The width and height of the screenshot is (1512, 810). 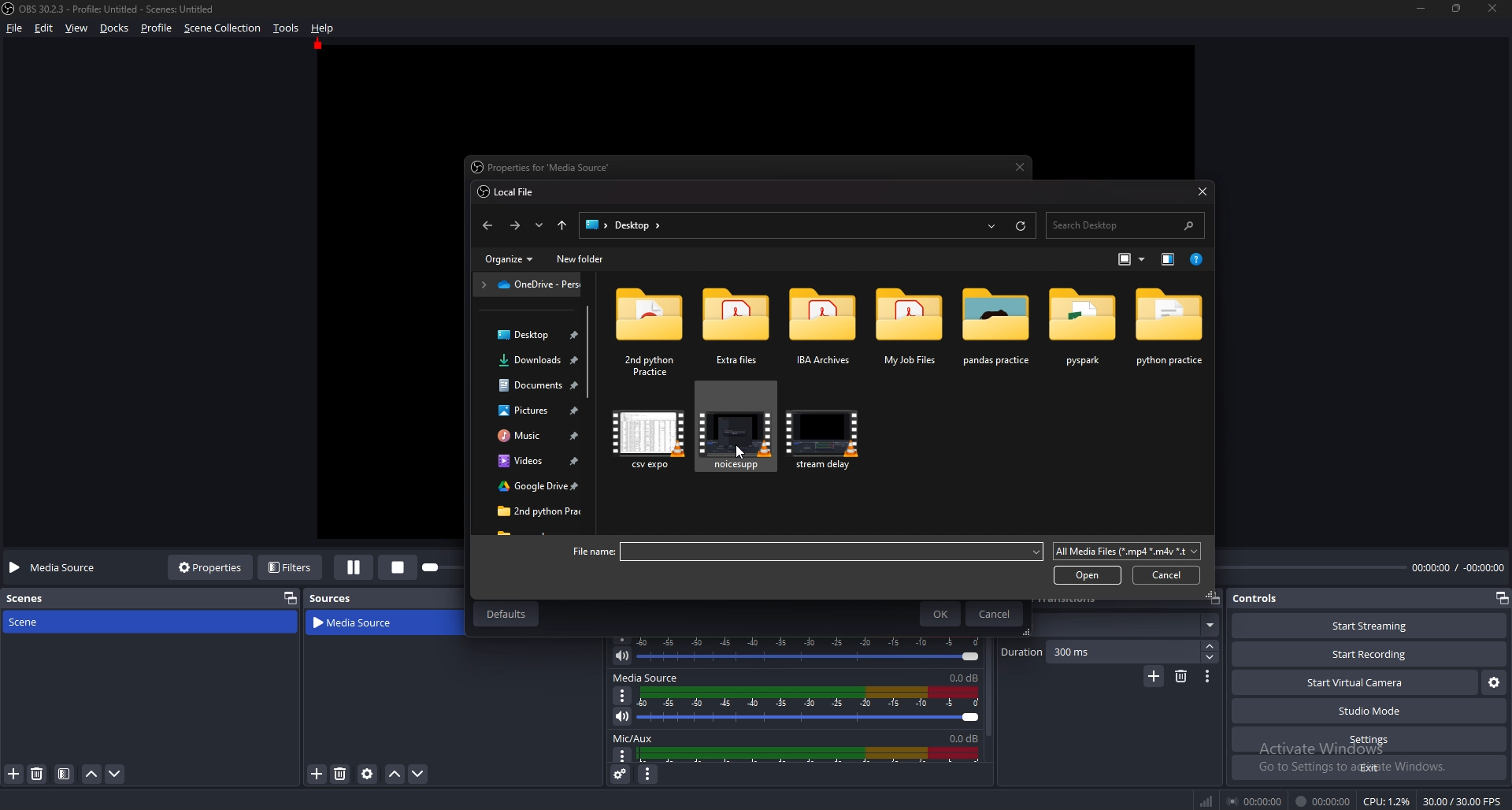 What do you see at coordinates (287, 28) in the screenshot?
I see `Tools` at bounding box center [287, 28].